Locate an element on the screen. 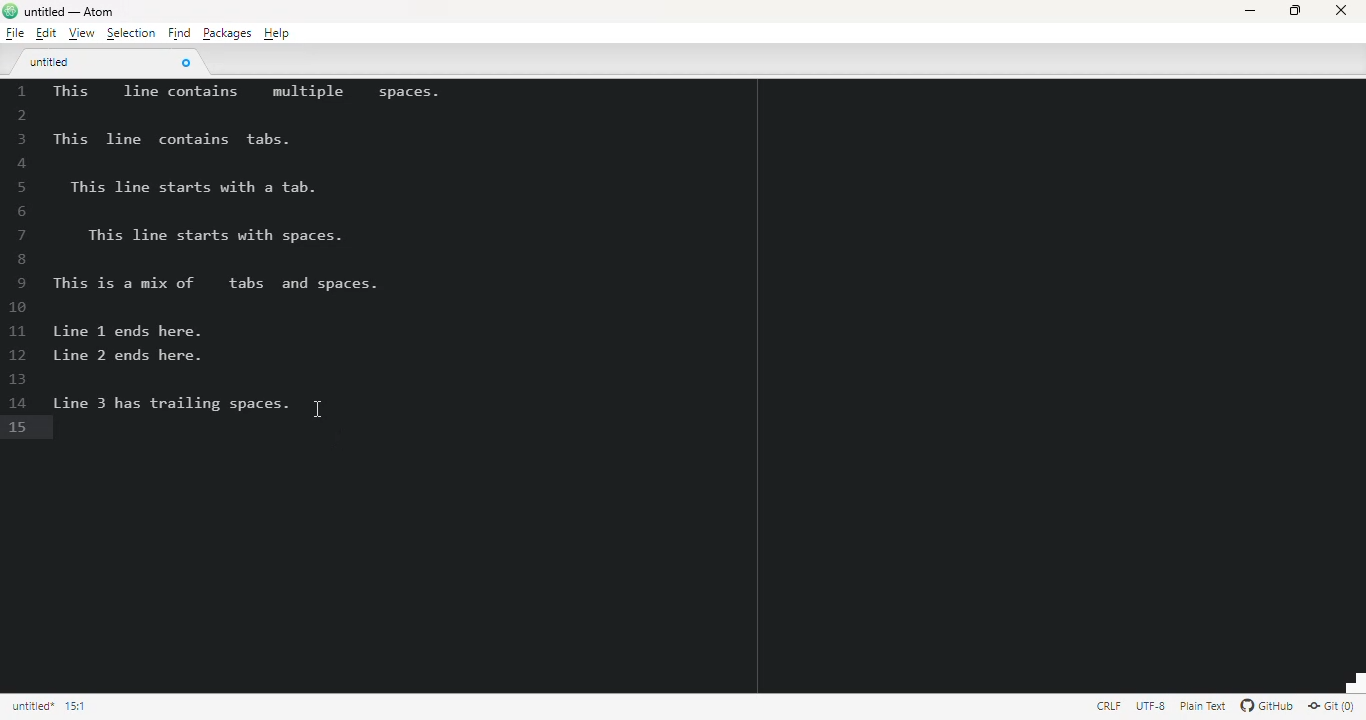 The width and height of the screenshot is (1366, 720). maximize is located at coordinates (1295, 10).